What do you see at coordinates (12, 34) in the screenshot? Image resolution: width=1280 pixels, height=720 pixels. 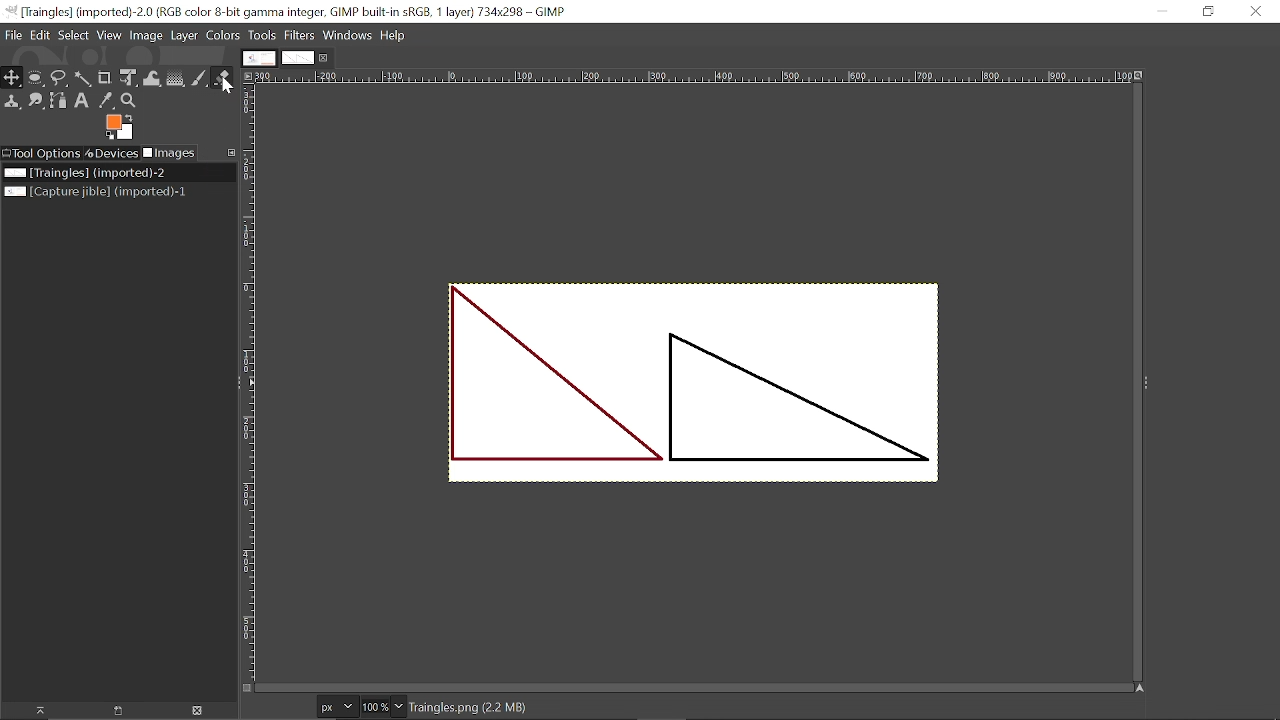 I see `File` at bounding box center [12, 34].